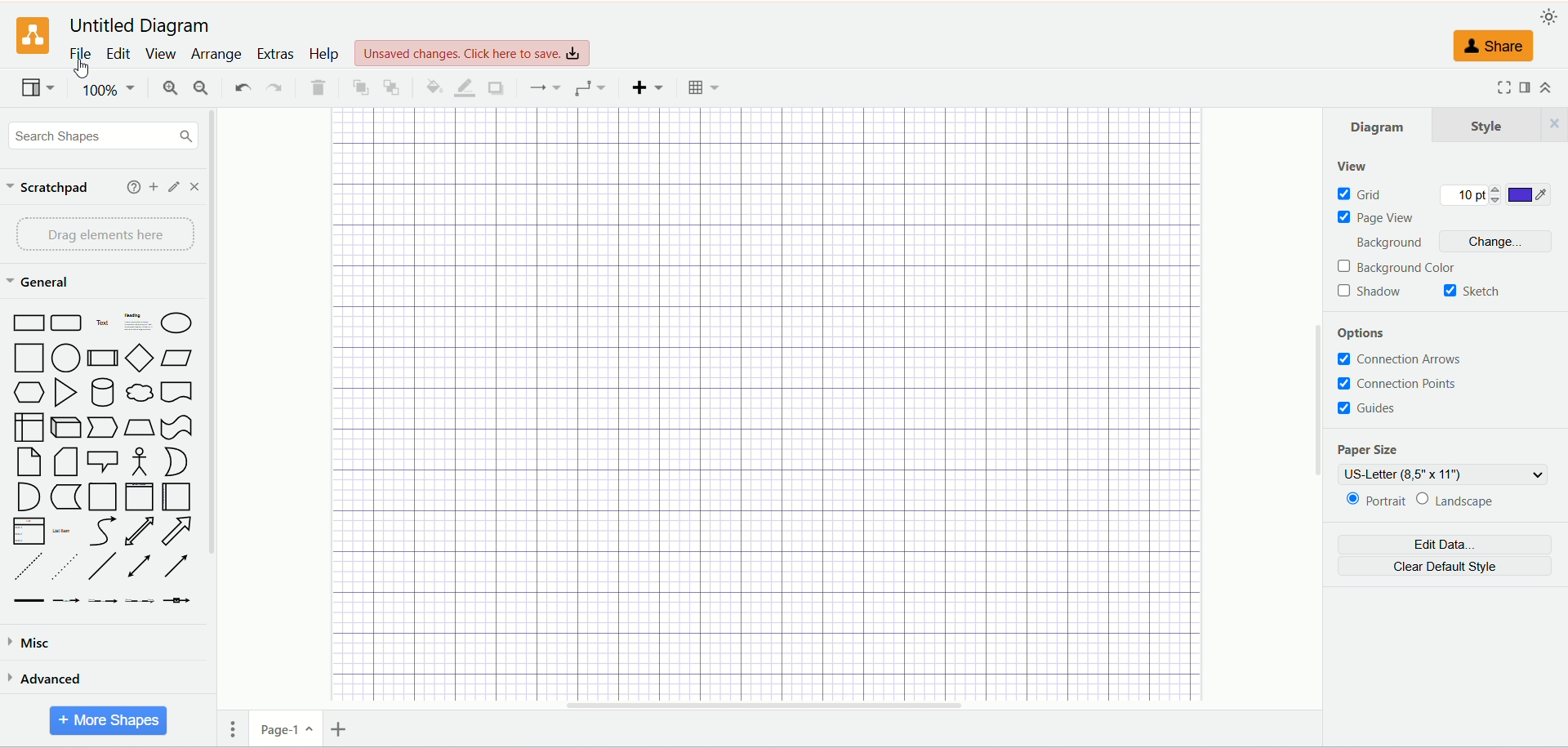 This screenshot has width=1568, height=748. I want to click on general, so click(42, 283).